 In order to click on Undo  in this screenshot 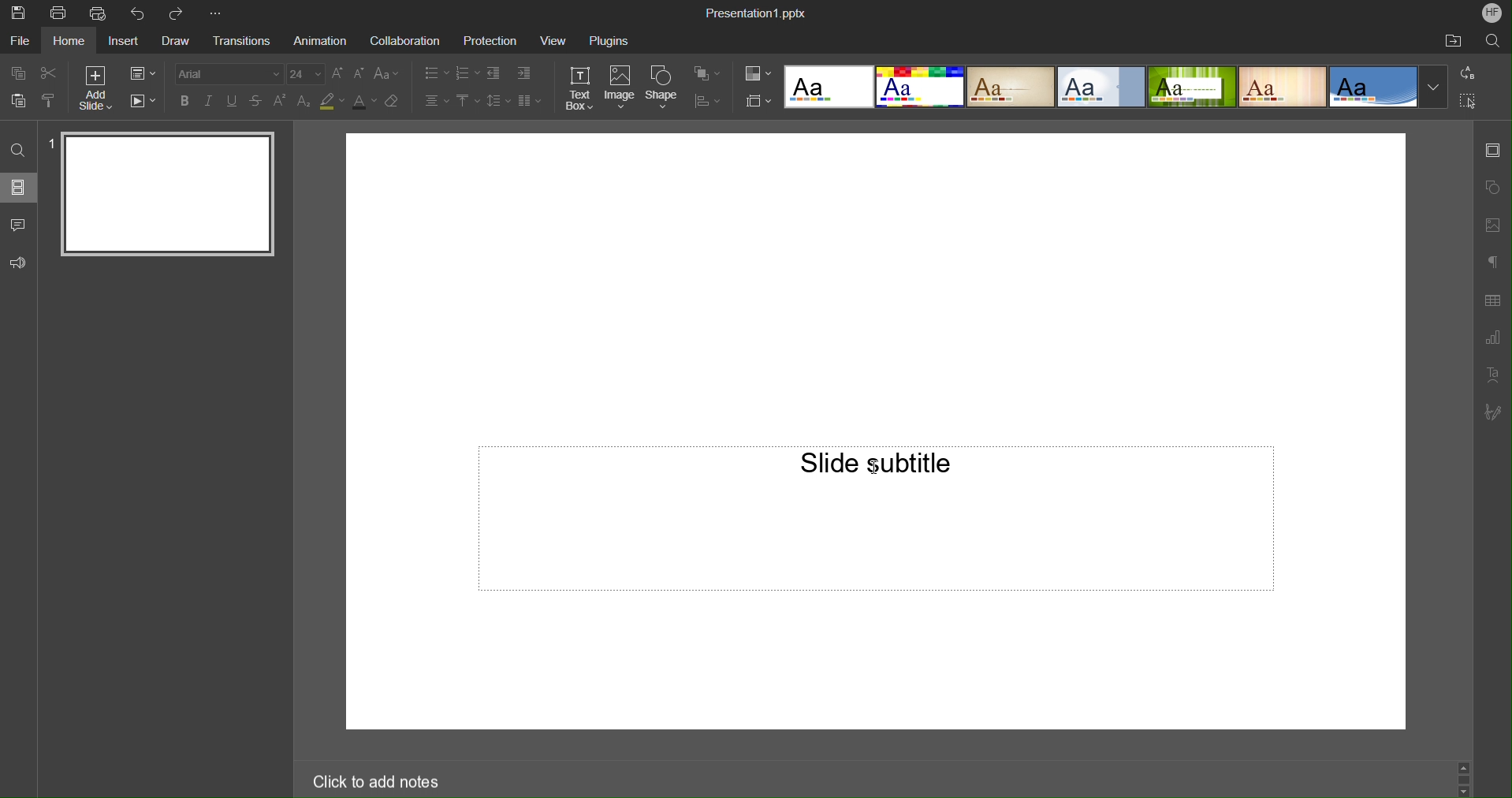, I will do `click(140, 13)`.